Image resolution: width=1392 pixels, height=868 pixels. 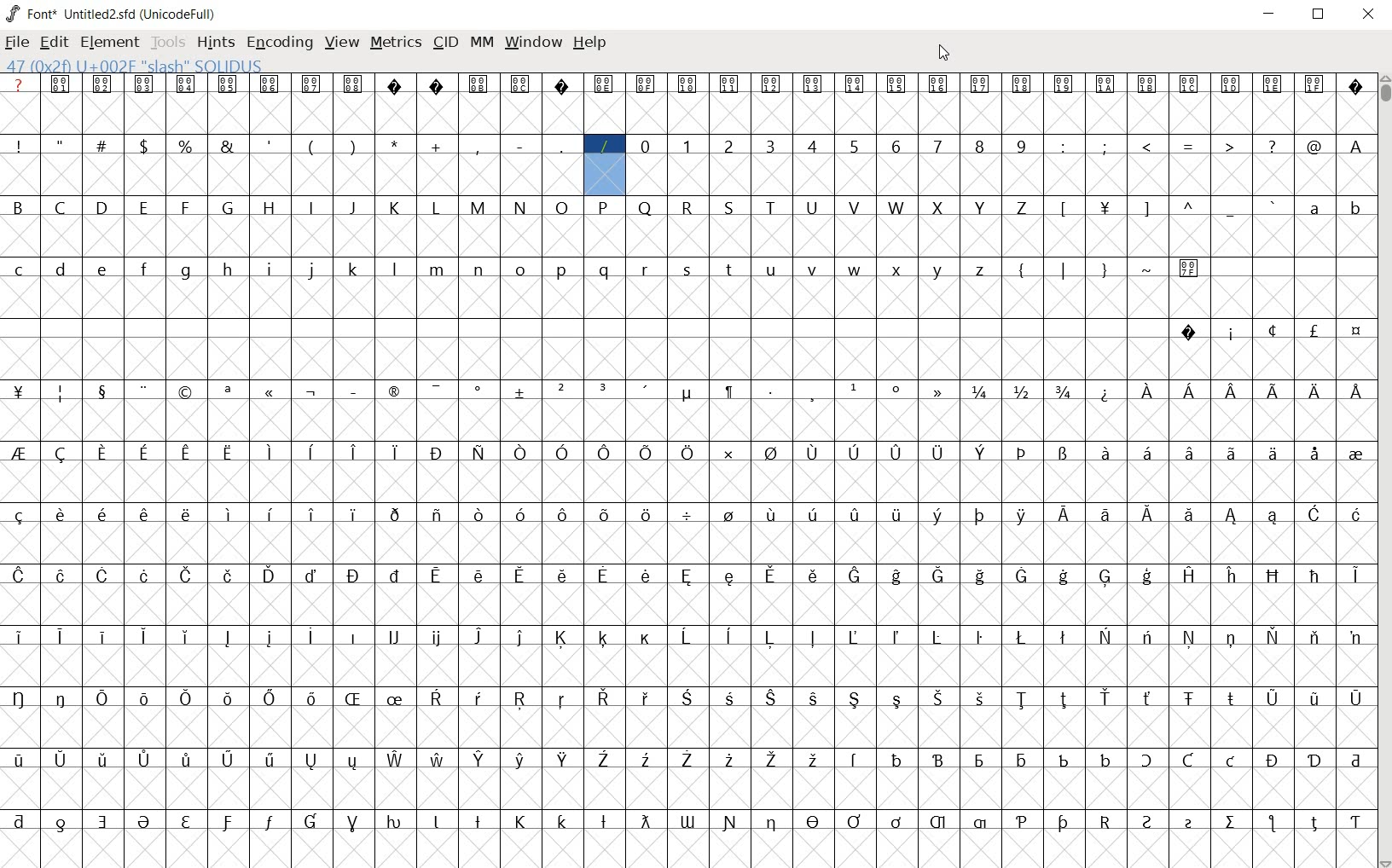 I want to click on glyph, so click(x=563, y=515).